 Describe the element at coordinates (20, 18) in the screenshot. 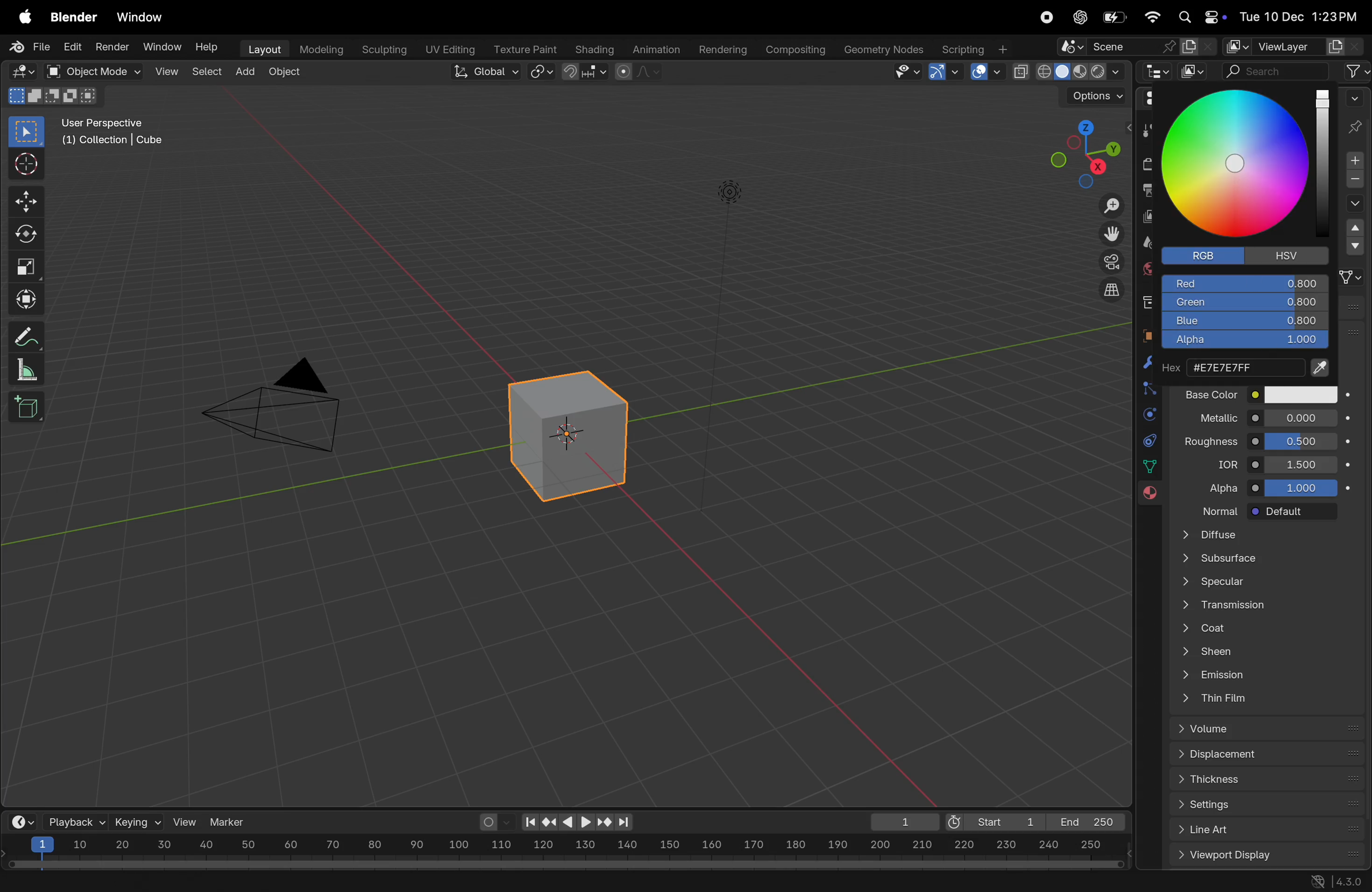

I see `apple menu` at that location.